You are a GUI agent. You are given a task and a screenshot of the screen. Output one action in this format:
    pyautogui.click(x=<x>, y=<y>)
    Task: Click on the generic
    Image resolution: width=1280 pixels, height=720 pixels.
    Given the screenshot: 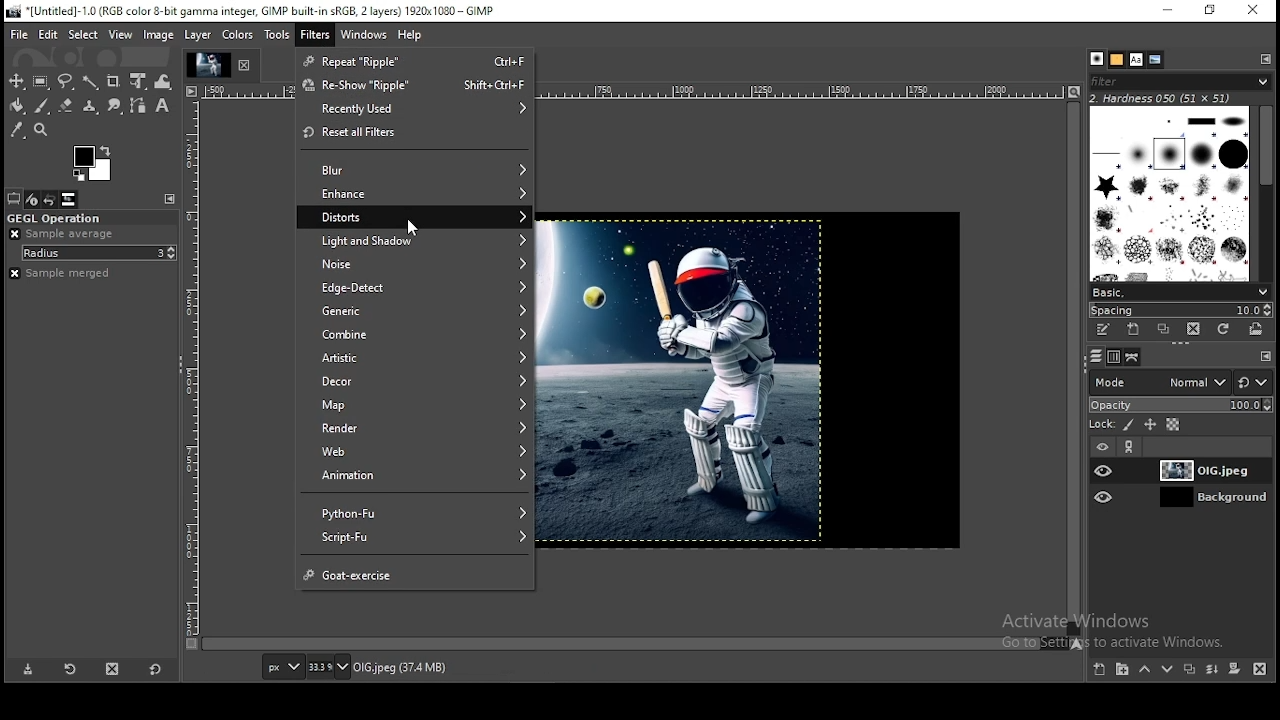 What is the action you would take?
    pyautogui.click(x=421, y=311)
    